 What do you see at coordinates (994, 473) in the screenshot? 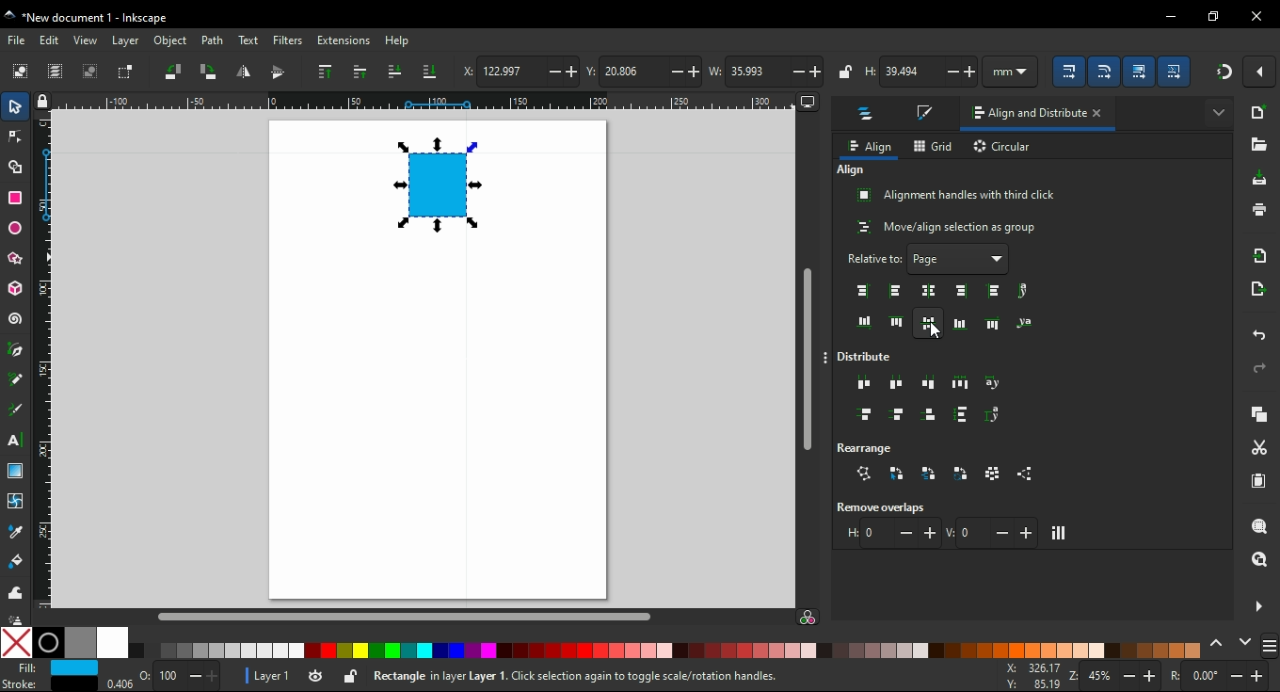
I see `randomize centers in both dimensions` at bounding box center [994, 473].